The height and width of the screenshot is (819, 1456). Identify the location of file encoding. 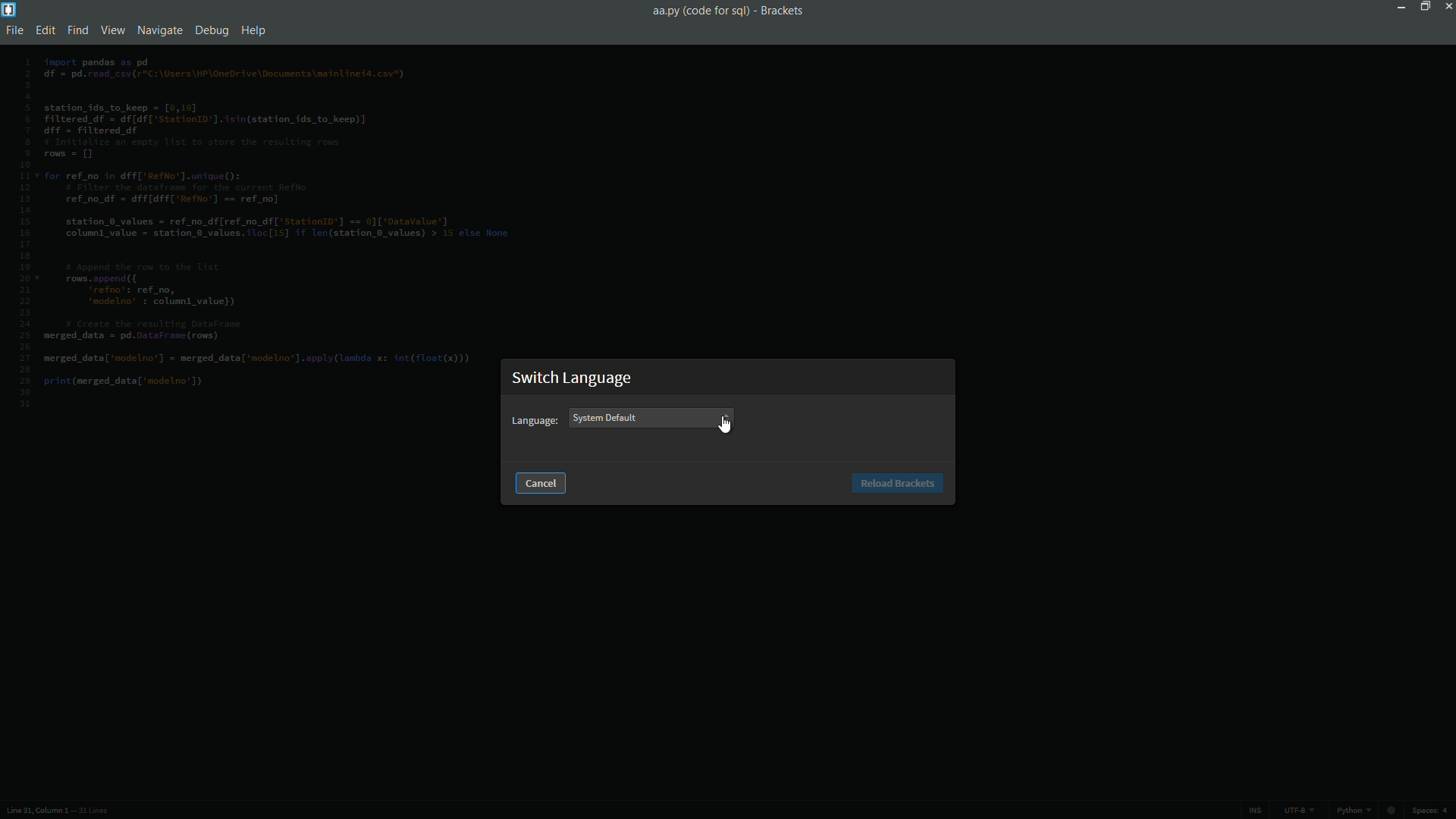
(1298, 811).